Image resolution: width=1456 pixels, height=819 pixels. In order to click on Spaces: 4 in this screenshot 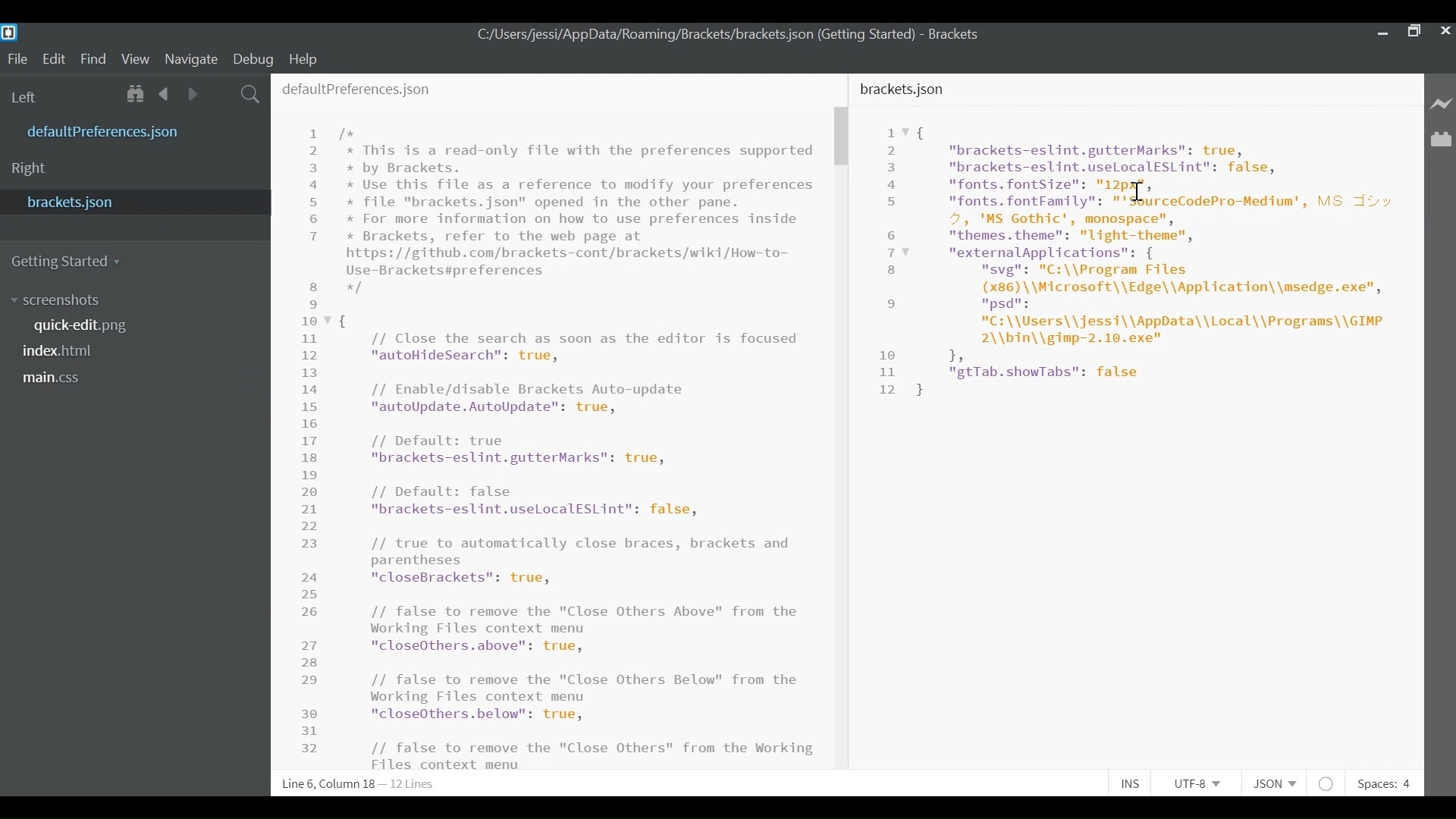, I will do `click(1382, 783)`.